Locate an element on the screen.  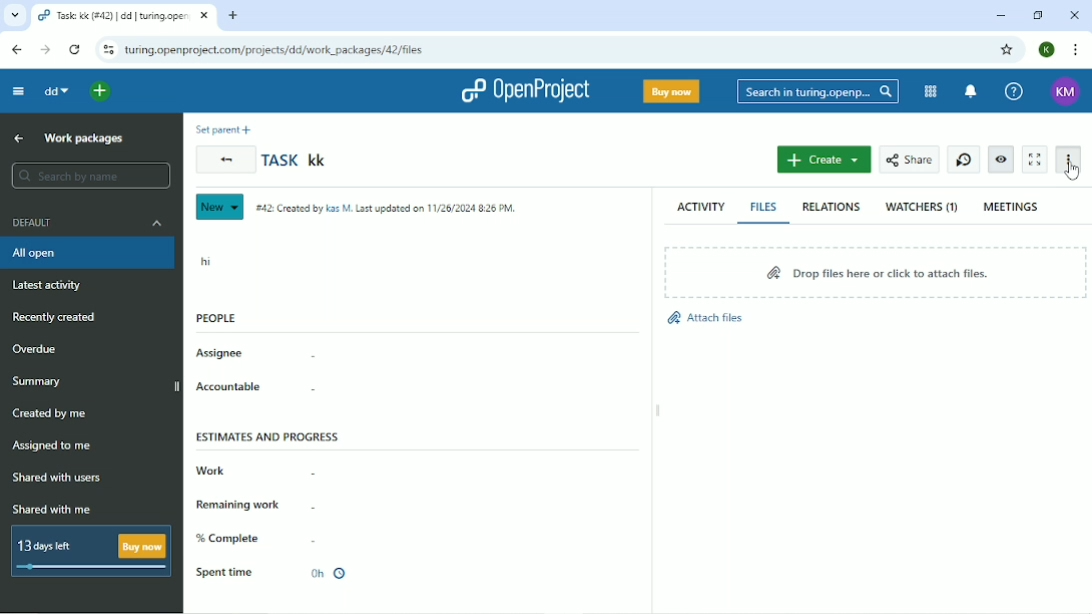
Customize and control google chrome is located at coordinates (1075, 51).